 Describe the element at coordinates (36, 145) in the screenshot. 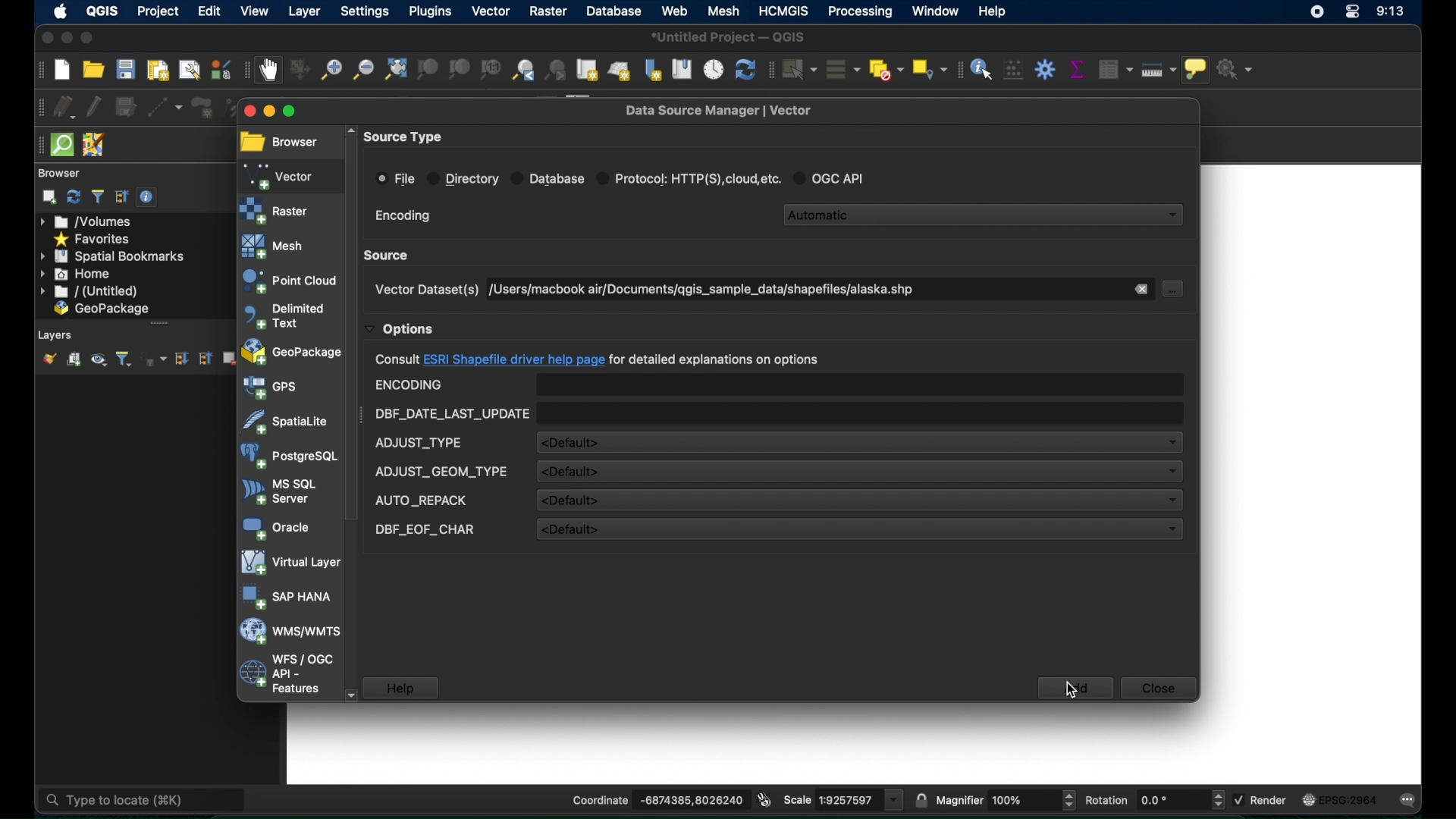

I see `drag handle` at that location.